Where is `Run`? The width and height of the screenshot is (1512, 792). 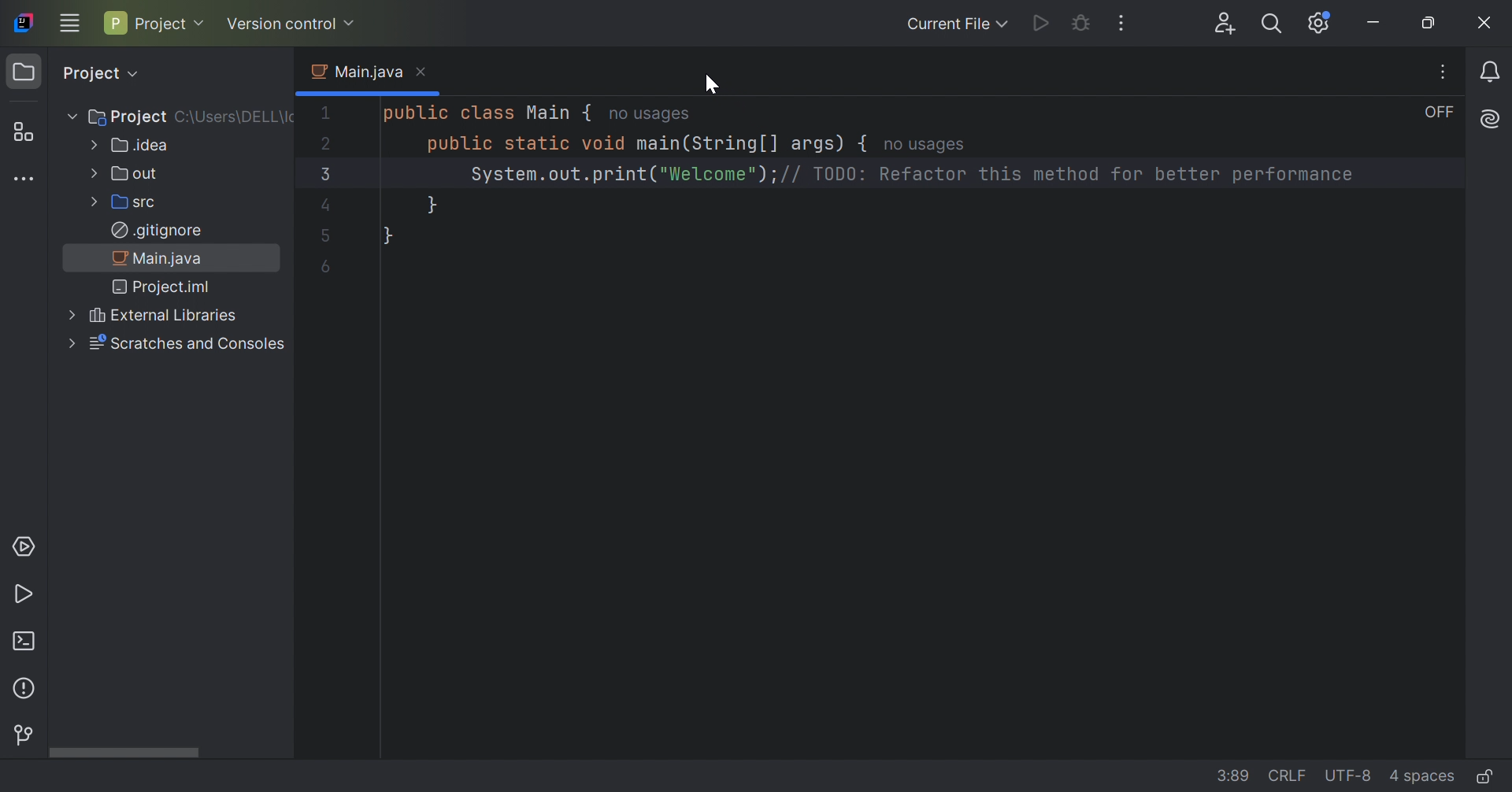
Run is located at coordinates (1039, 23).